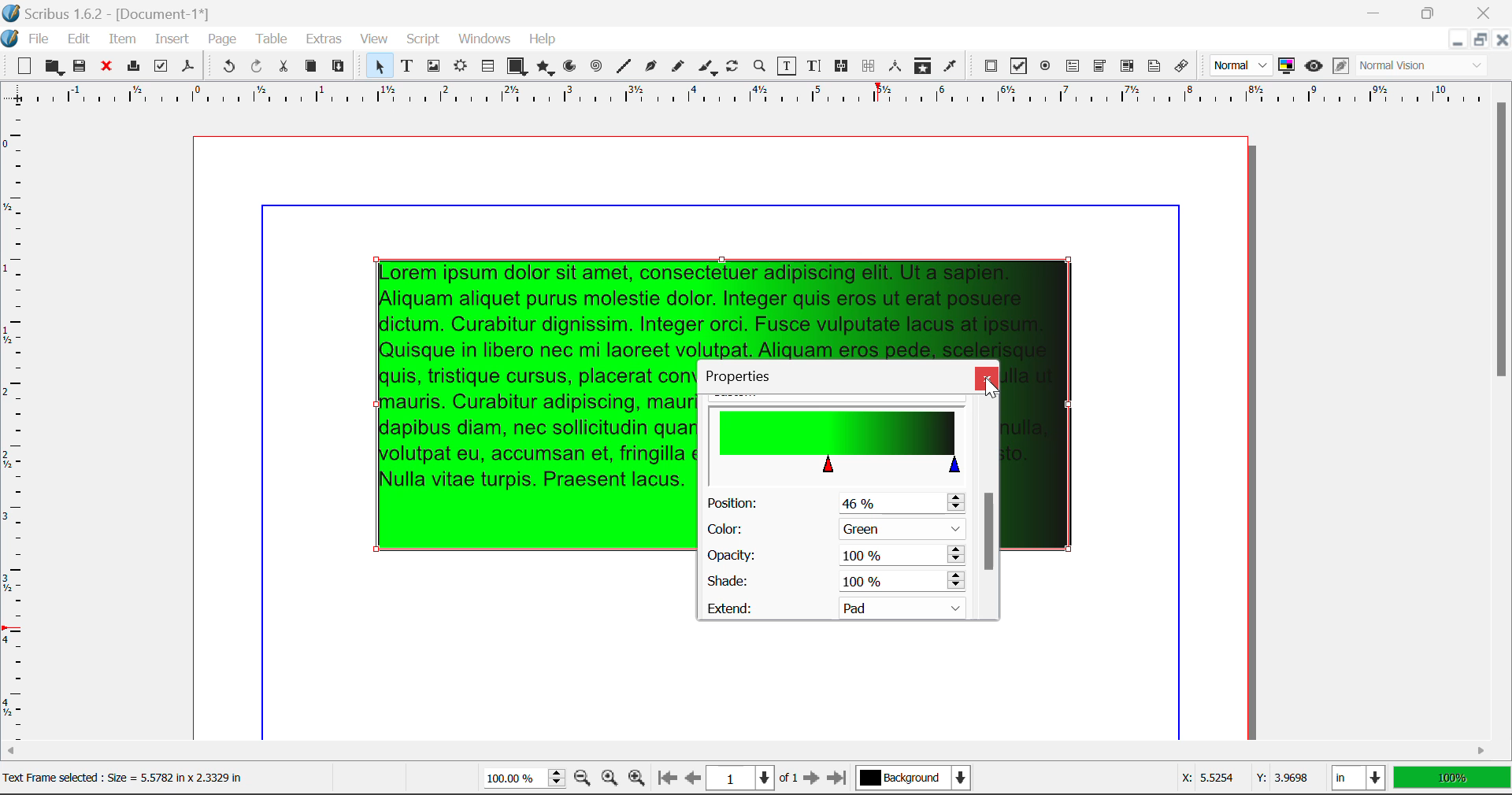 The width and height of the screenshot is (1512, 795). Describe the element at coordinates (1376, 11) in the screenshot. I see `Restore Down` at that location.